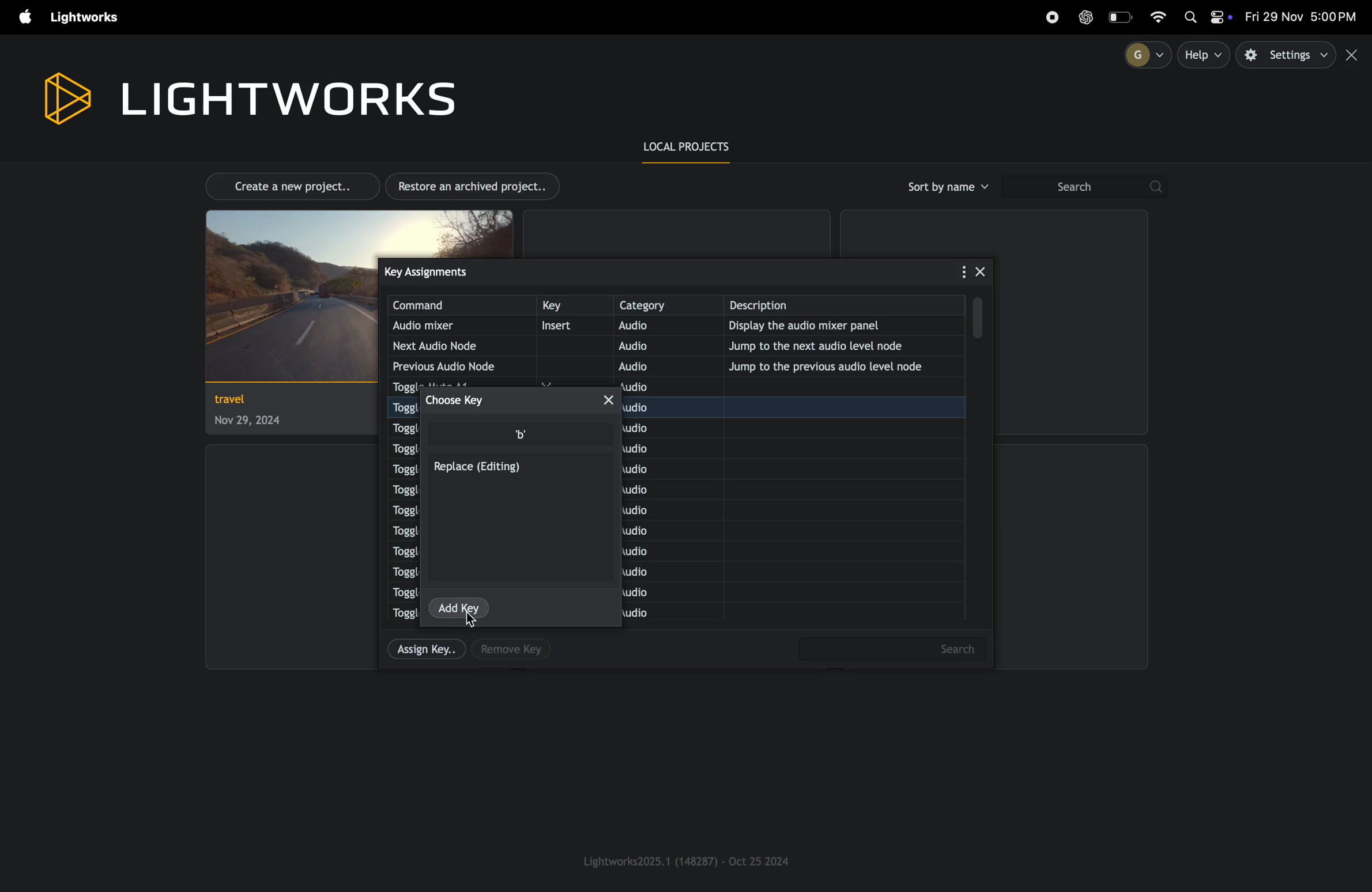 This screenshot has height=892, width=1372. What do you see at coordinates (688, 860) in the screenshot?
I see `light works version` at bounding box center [688, 860].